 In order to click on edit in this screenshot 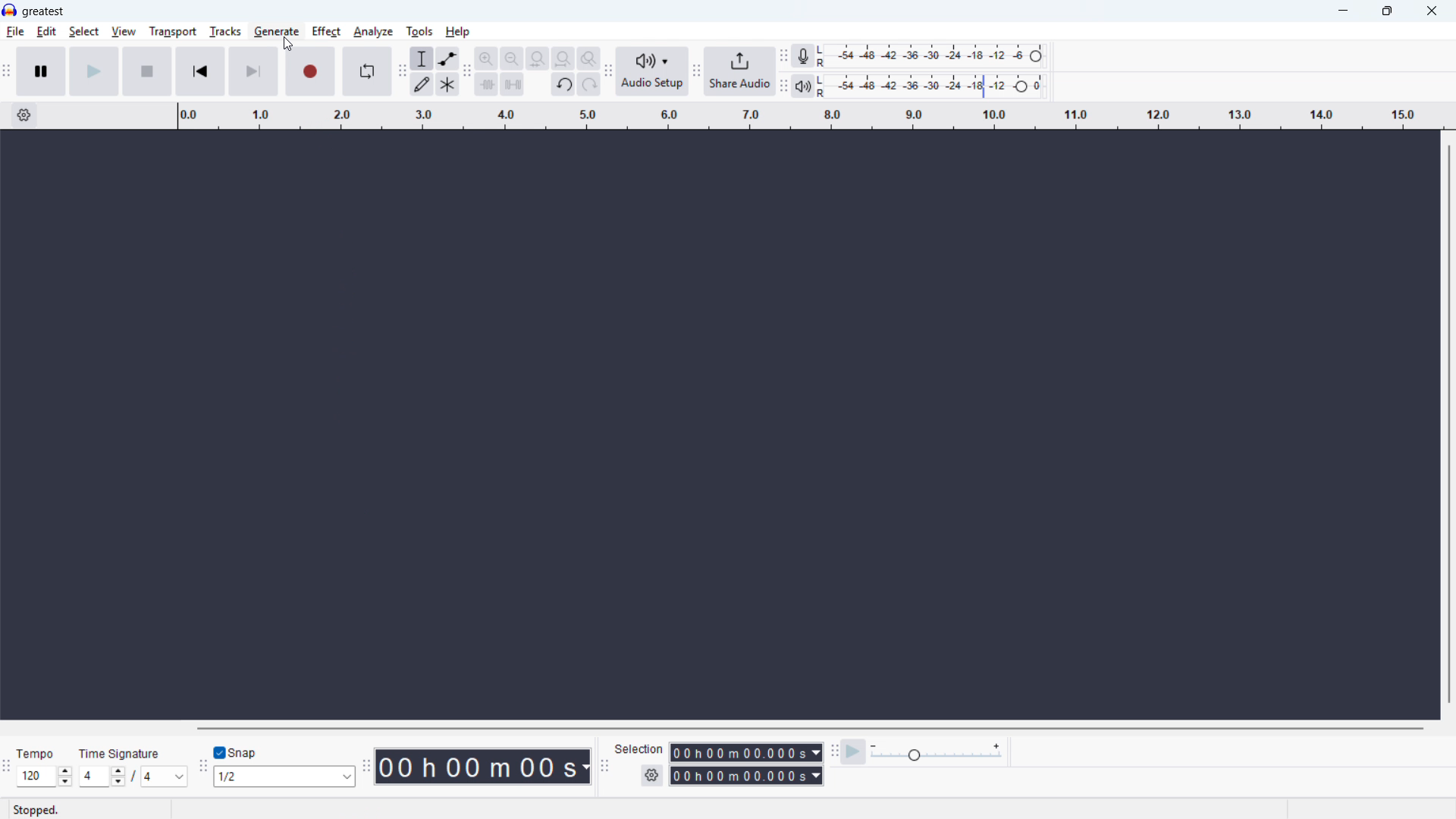, I will do `click(47, 32)`.